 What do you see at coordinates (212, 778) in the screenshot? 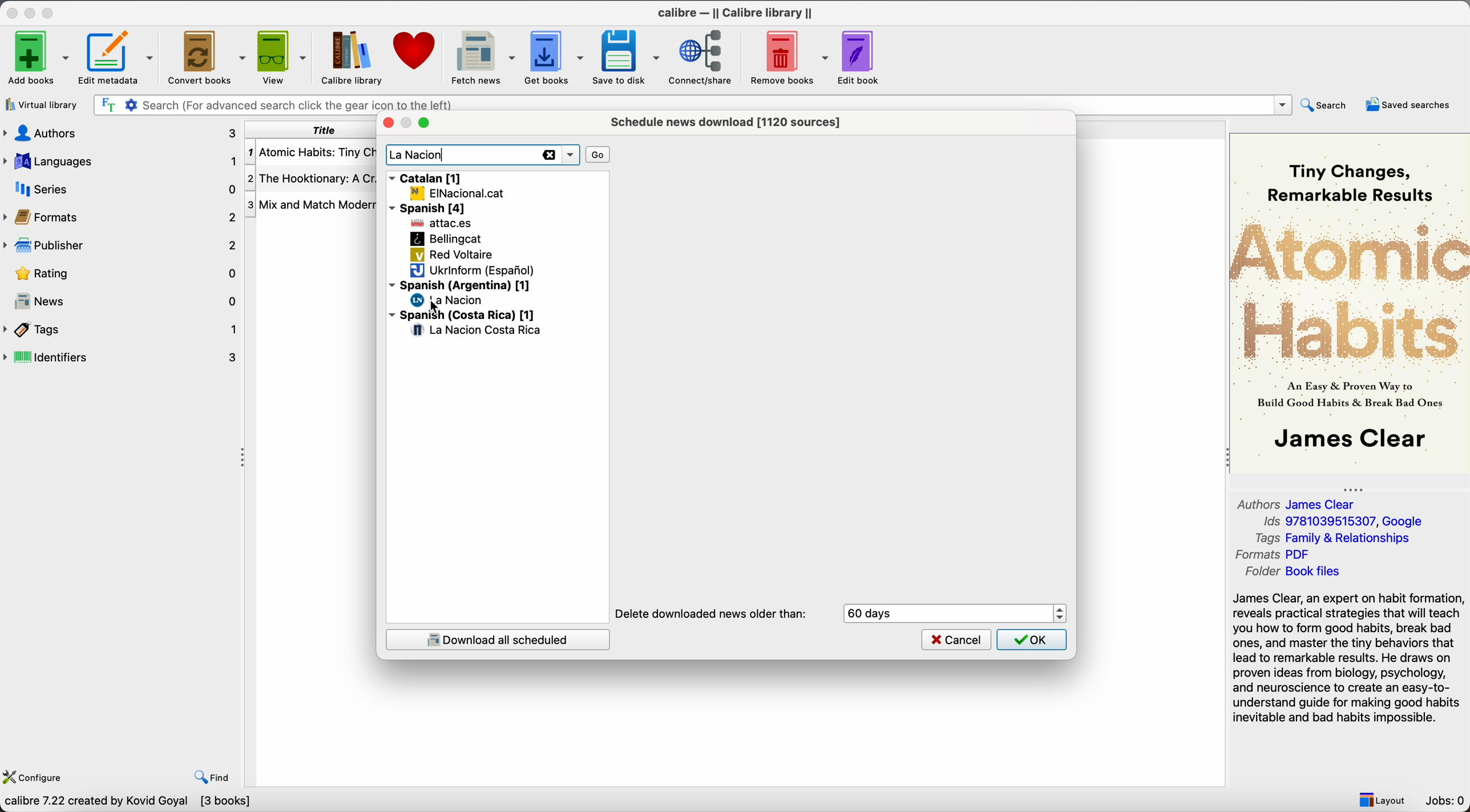
I see `find` at bounding box center [212, 778].